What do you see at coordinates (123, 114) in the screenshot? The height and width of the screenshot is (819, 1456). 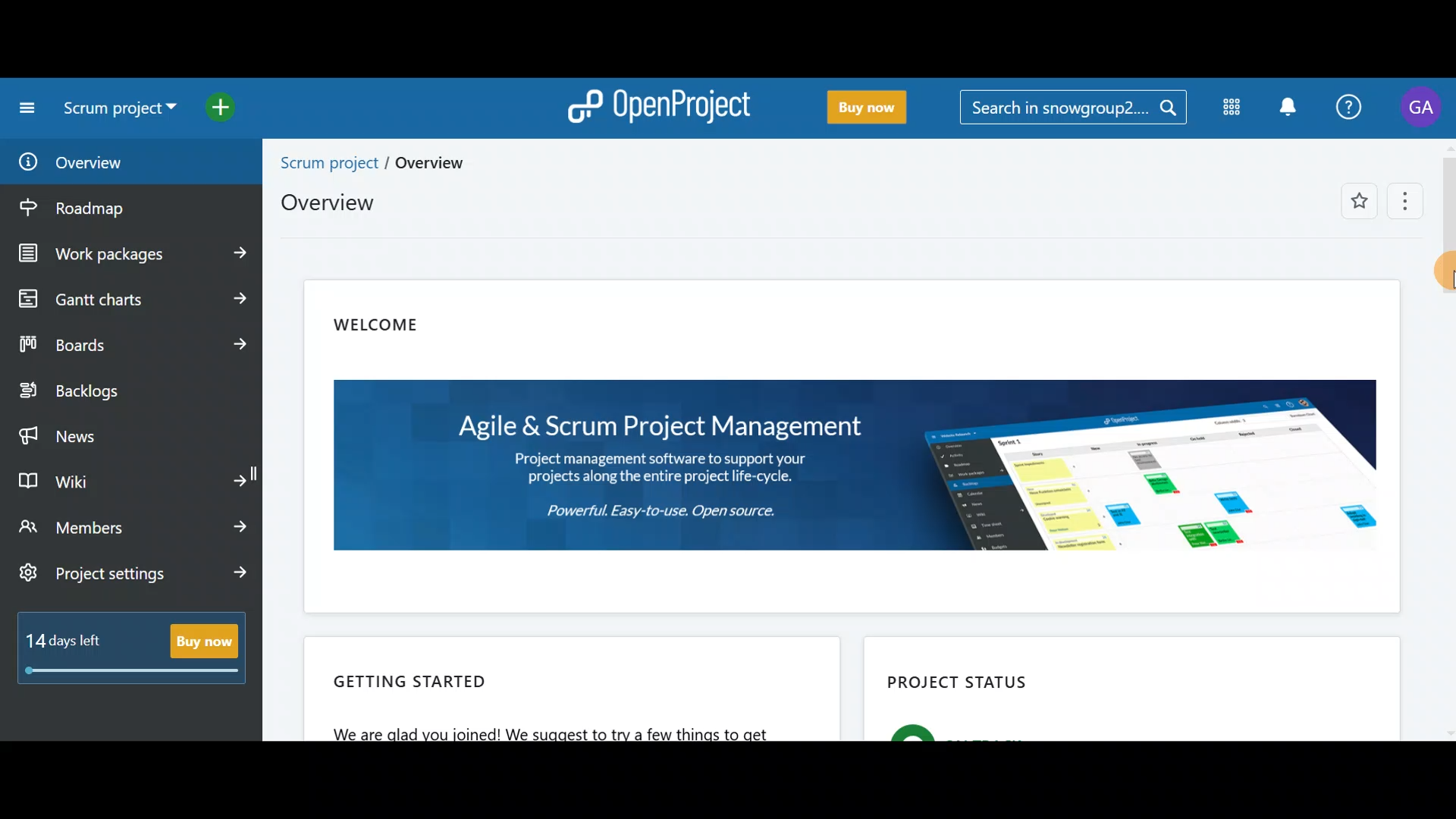 I see `Select a project` at bounding box center [123, 114].